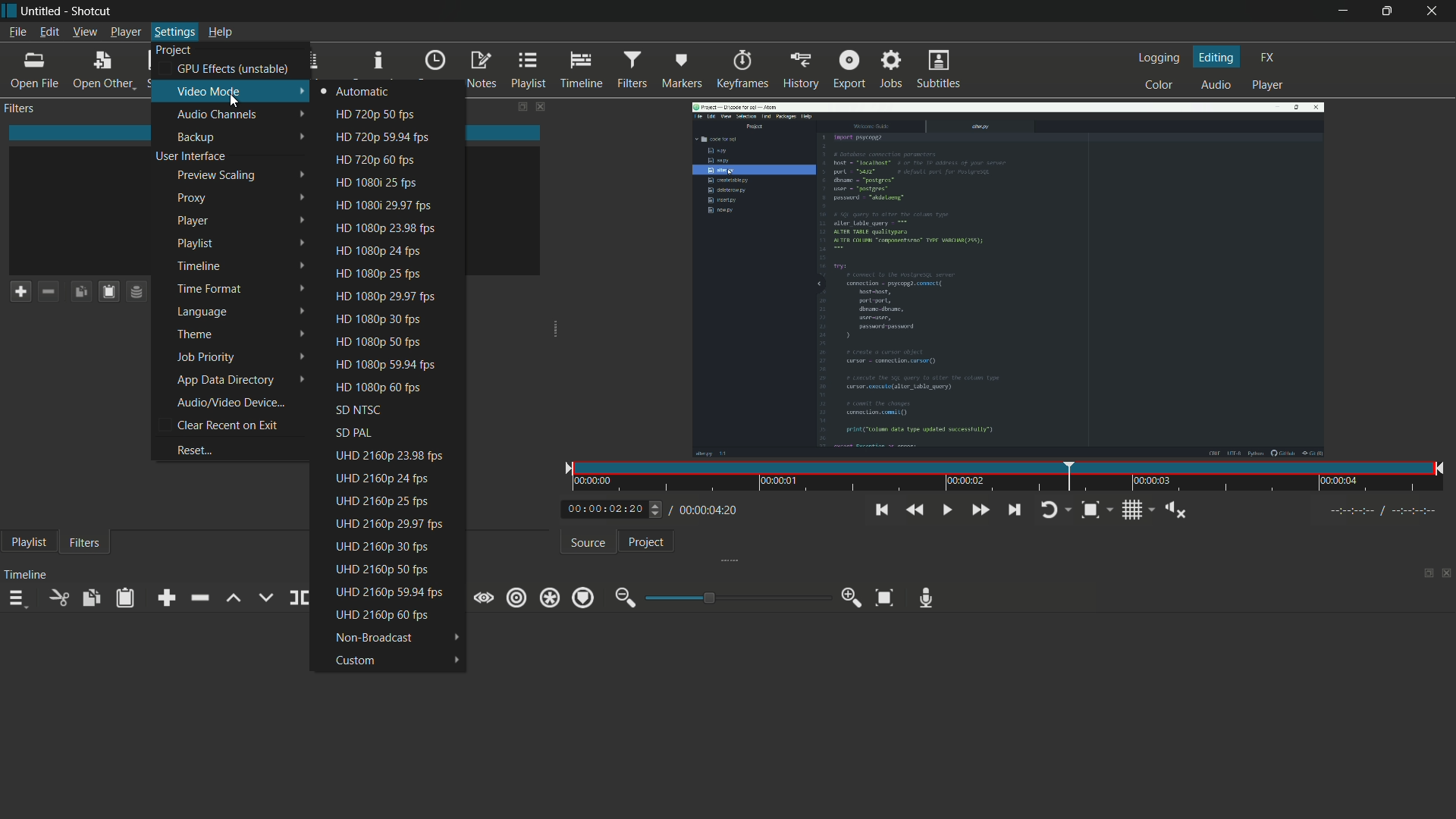 This screenshot has height=819, width=1456. I want to click on toggle grid, so click(1134, 510).